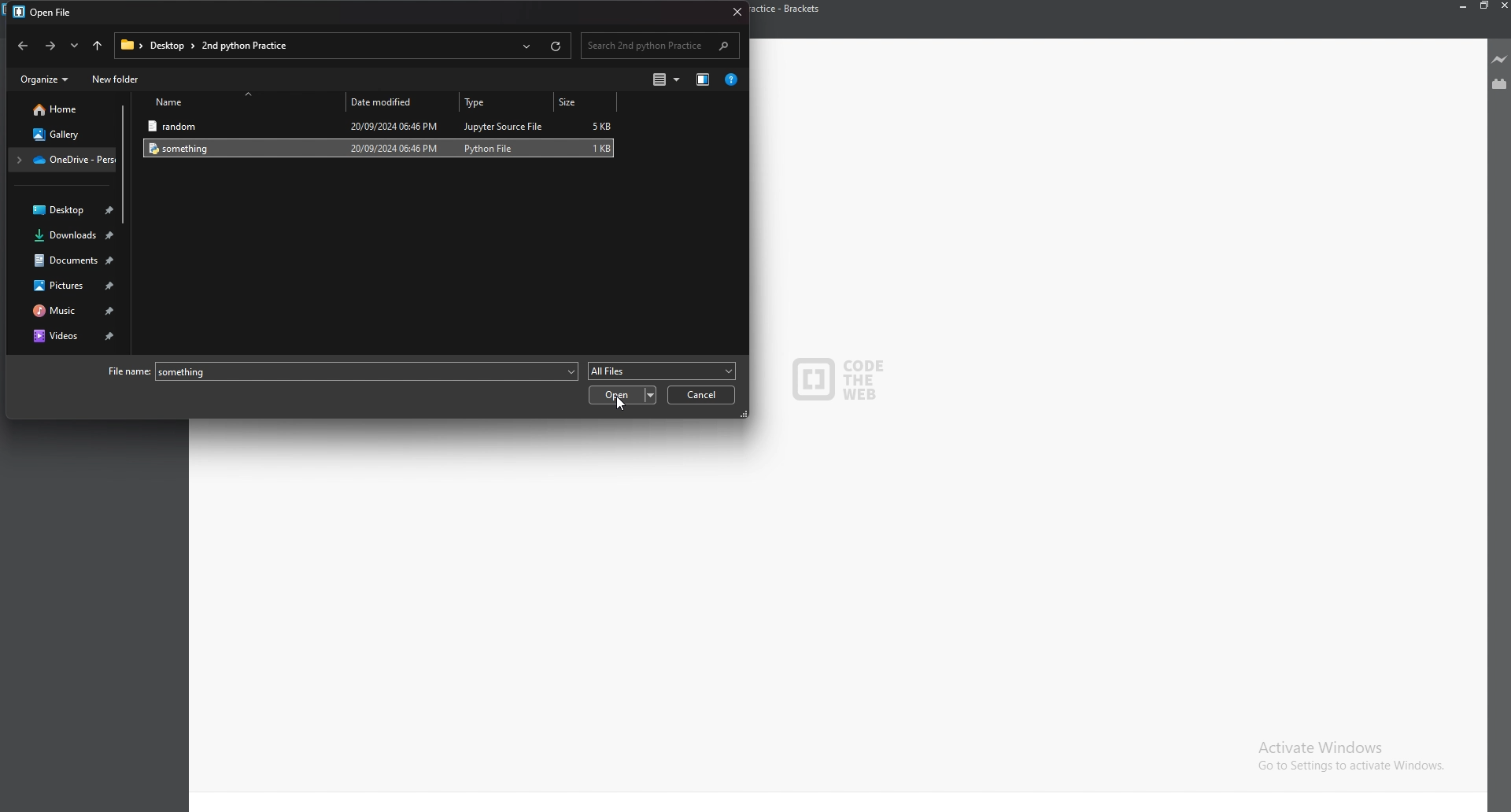  Describe the element at coordinates (556, 46) in the screenshot. I see `refresh` at that location.